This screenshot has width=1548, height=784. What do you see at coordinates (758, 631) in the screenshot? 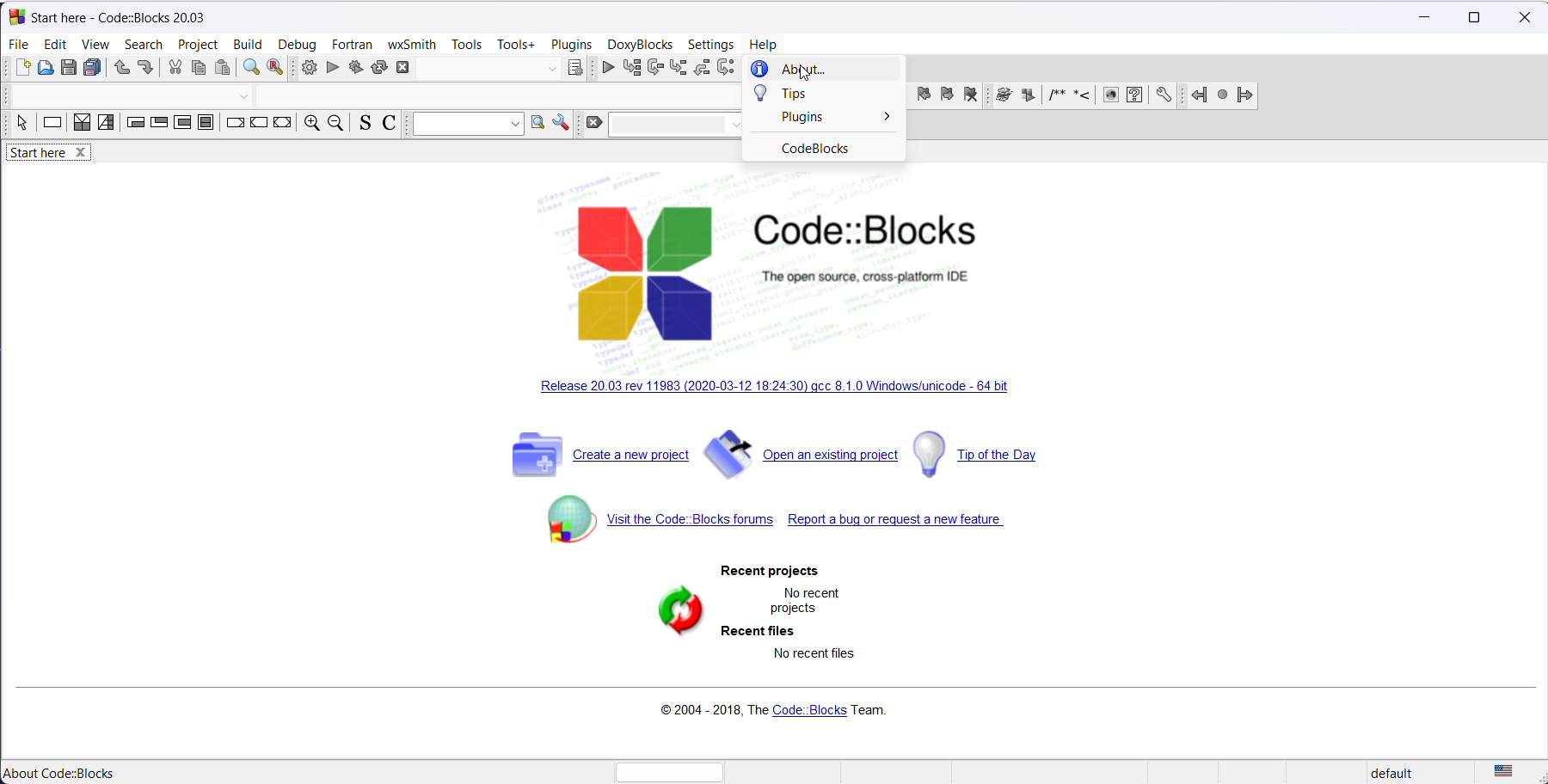
I see `recent files` at bounding box center [758, 631].